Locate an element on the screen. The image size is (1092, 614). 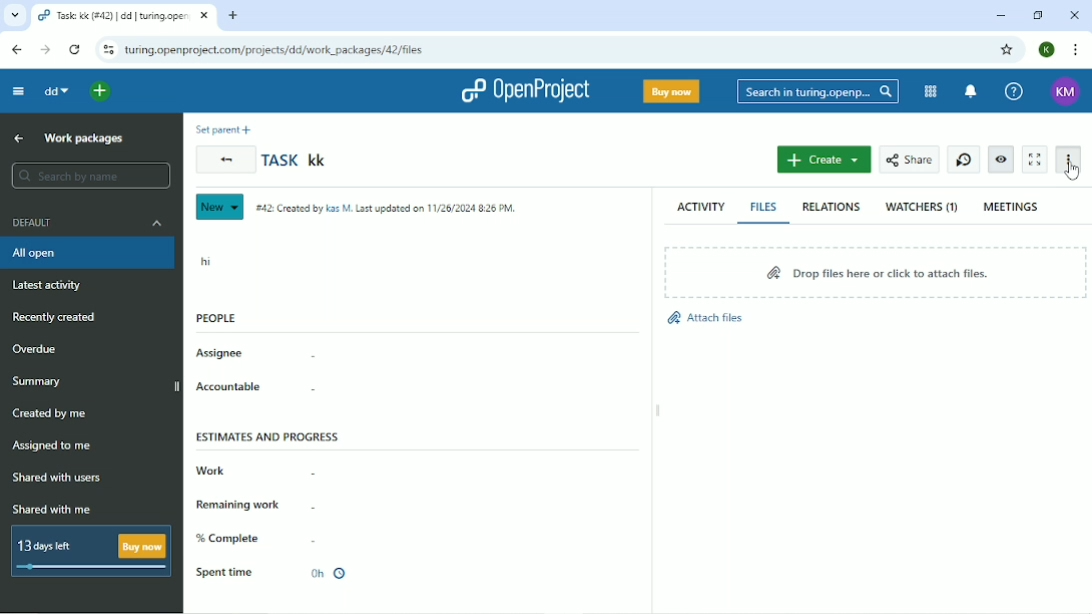
hi is located at coordinates (206, 259).